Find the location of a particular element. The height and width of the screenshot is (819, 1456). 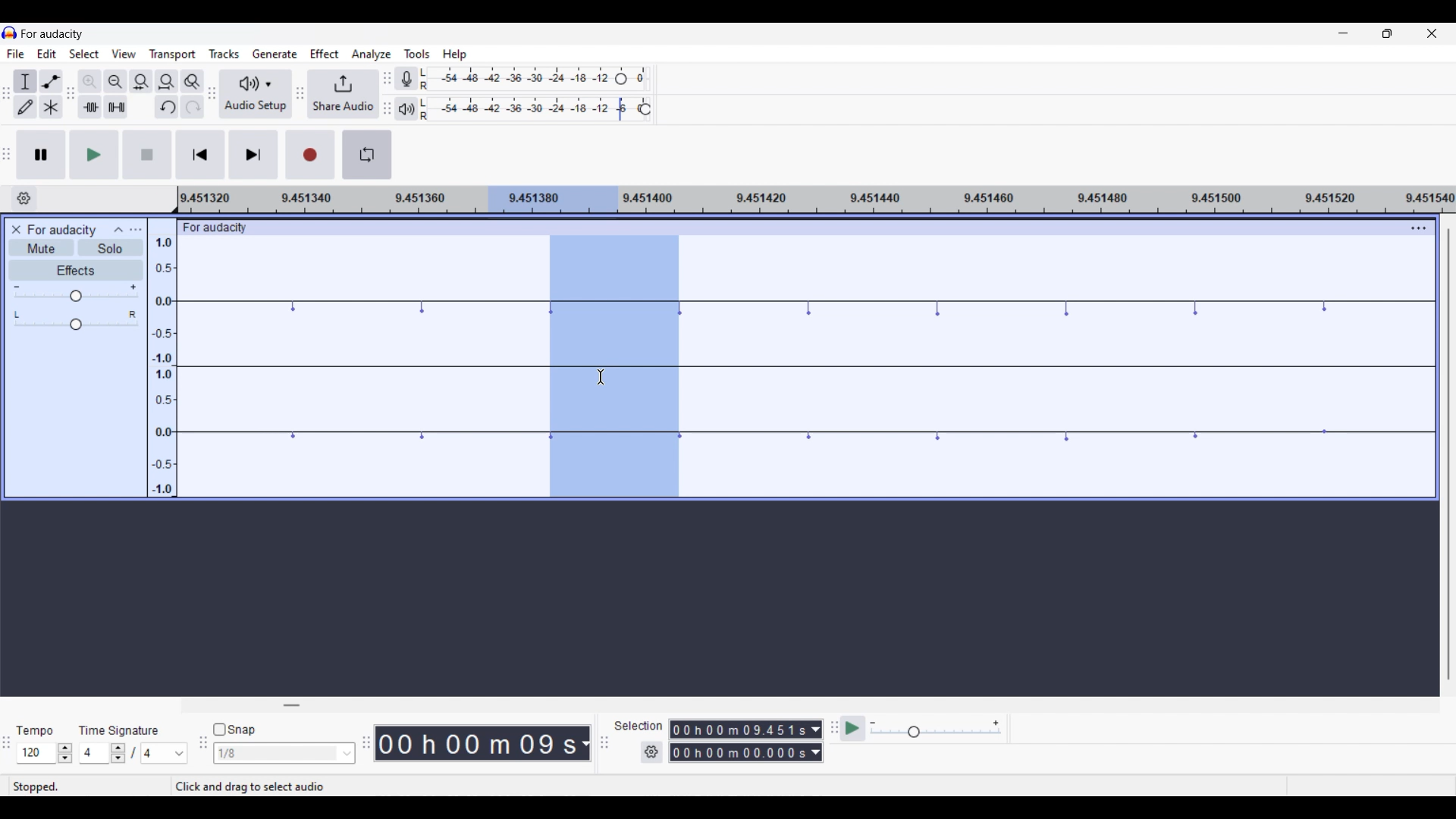

Multi-tool is located at coordinates (52, 107).